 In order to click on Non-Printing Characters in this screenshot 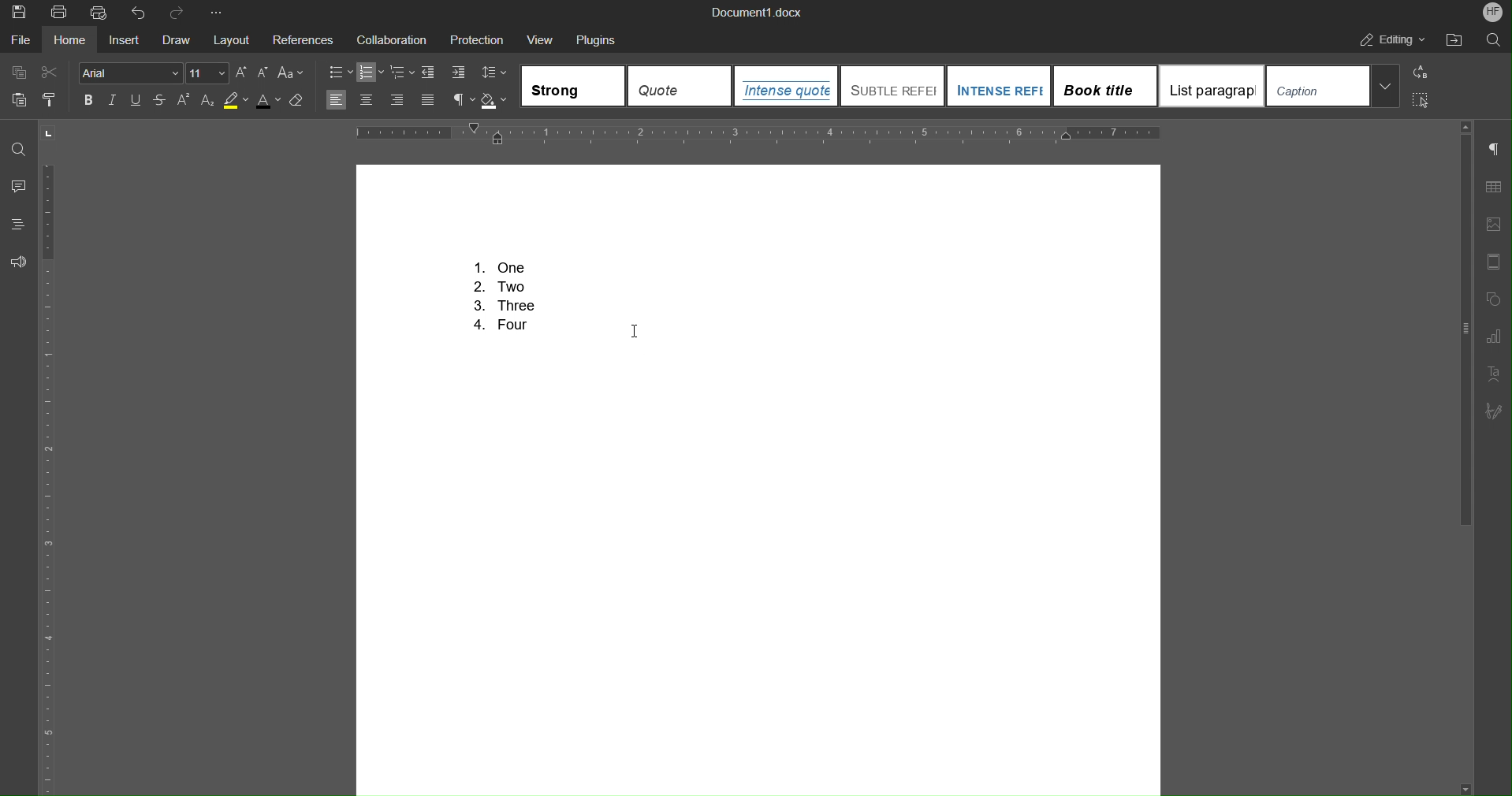, I will do `click(463, 101)`.